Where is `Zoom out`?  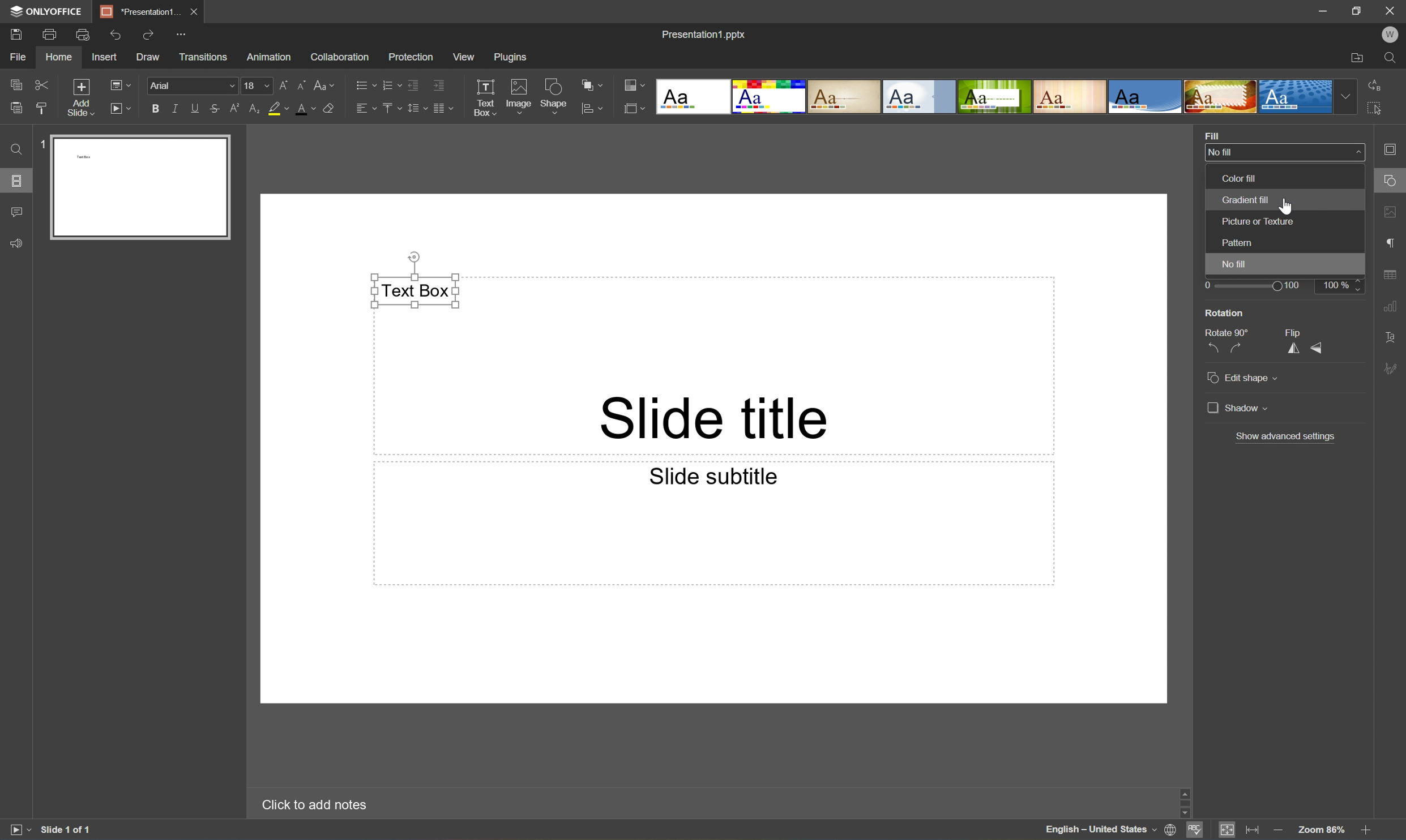
Zoom out is located at coordinates (1278, 829).